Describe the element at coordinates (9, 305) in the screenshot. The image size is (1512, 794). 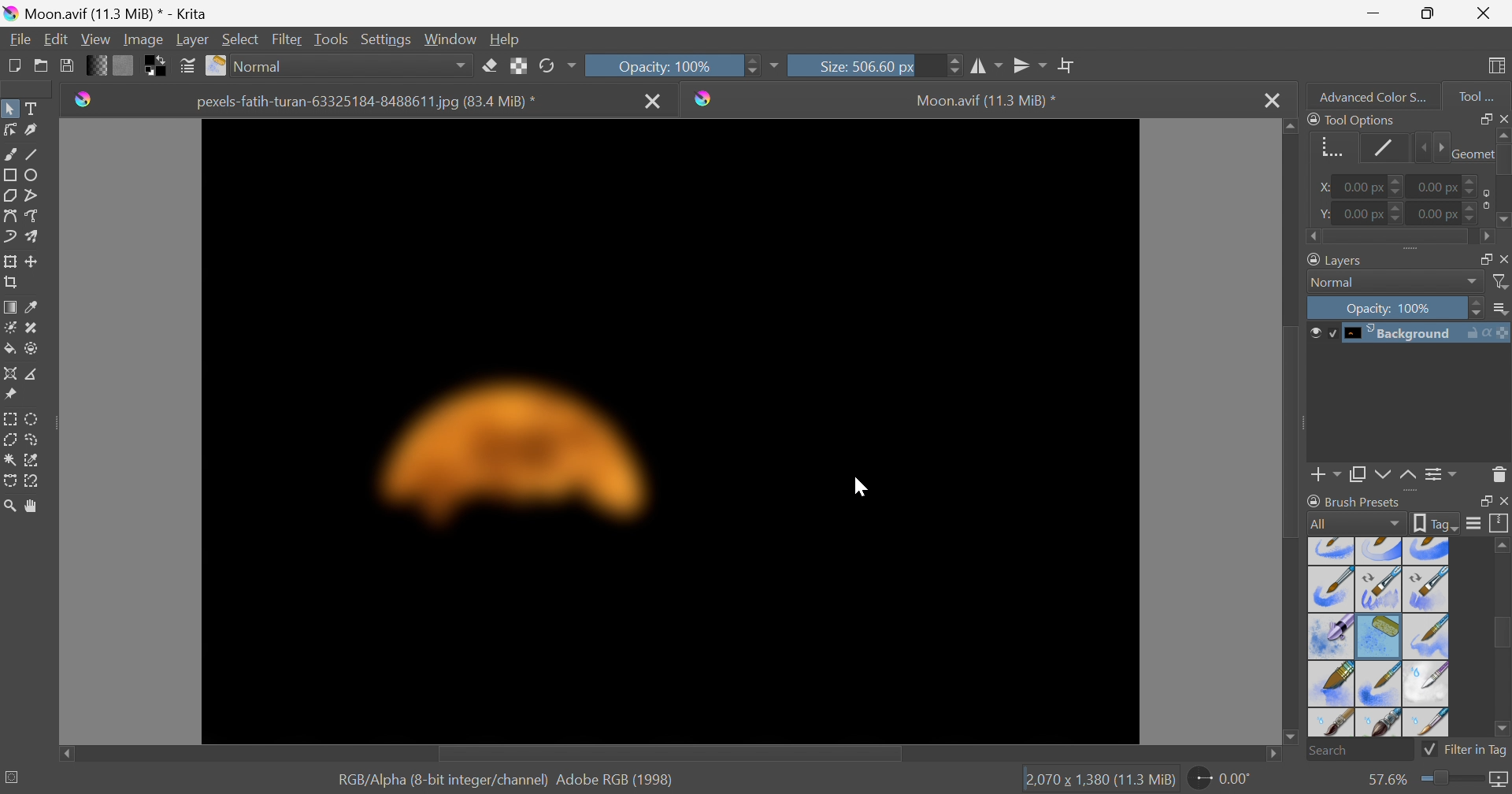
I see `Draw a gradient` at that location.